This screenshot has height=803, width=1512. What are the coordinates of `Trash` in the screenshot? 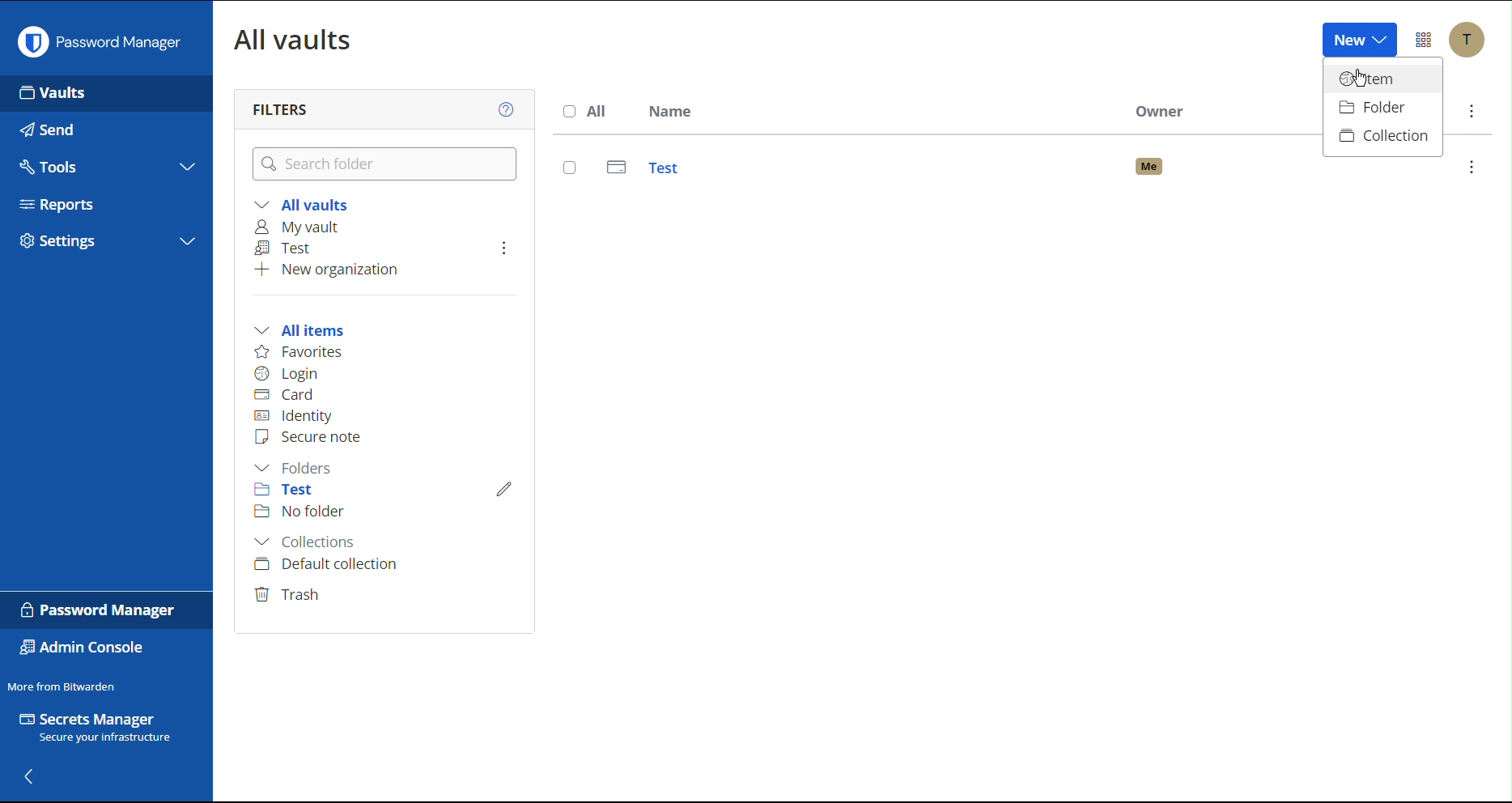 It's located at (290, 592).